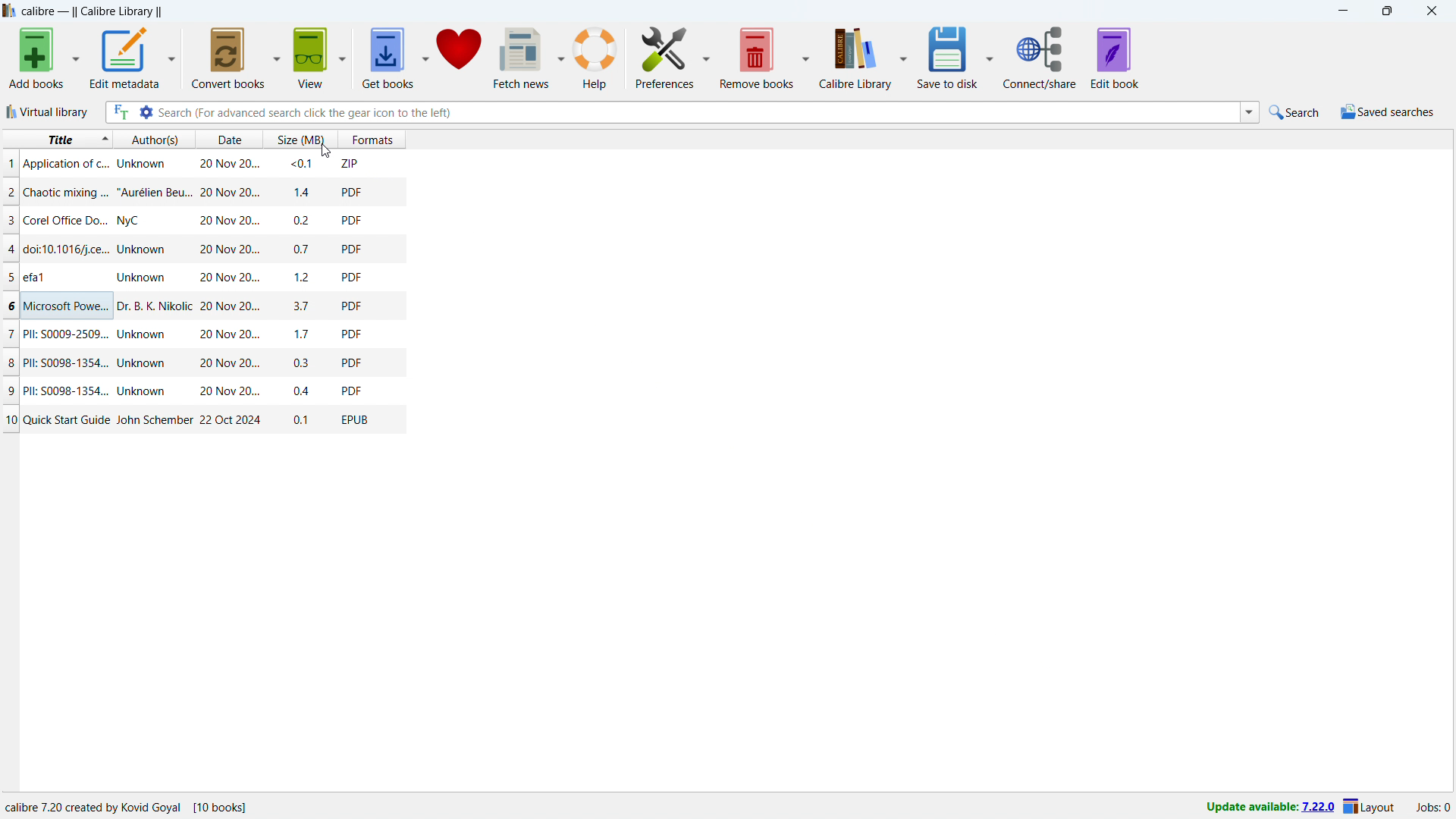 Image resolution: width=1456 pixels, height=819 pixels. I want to click on fetch news options, so click(561, 56).